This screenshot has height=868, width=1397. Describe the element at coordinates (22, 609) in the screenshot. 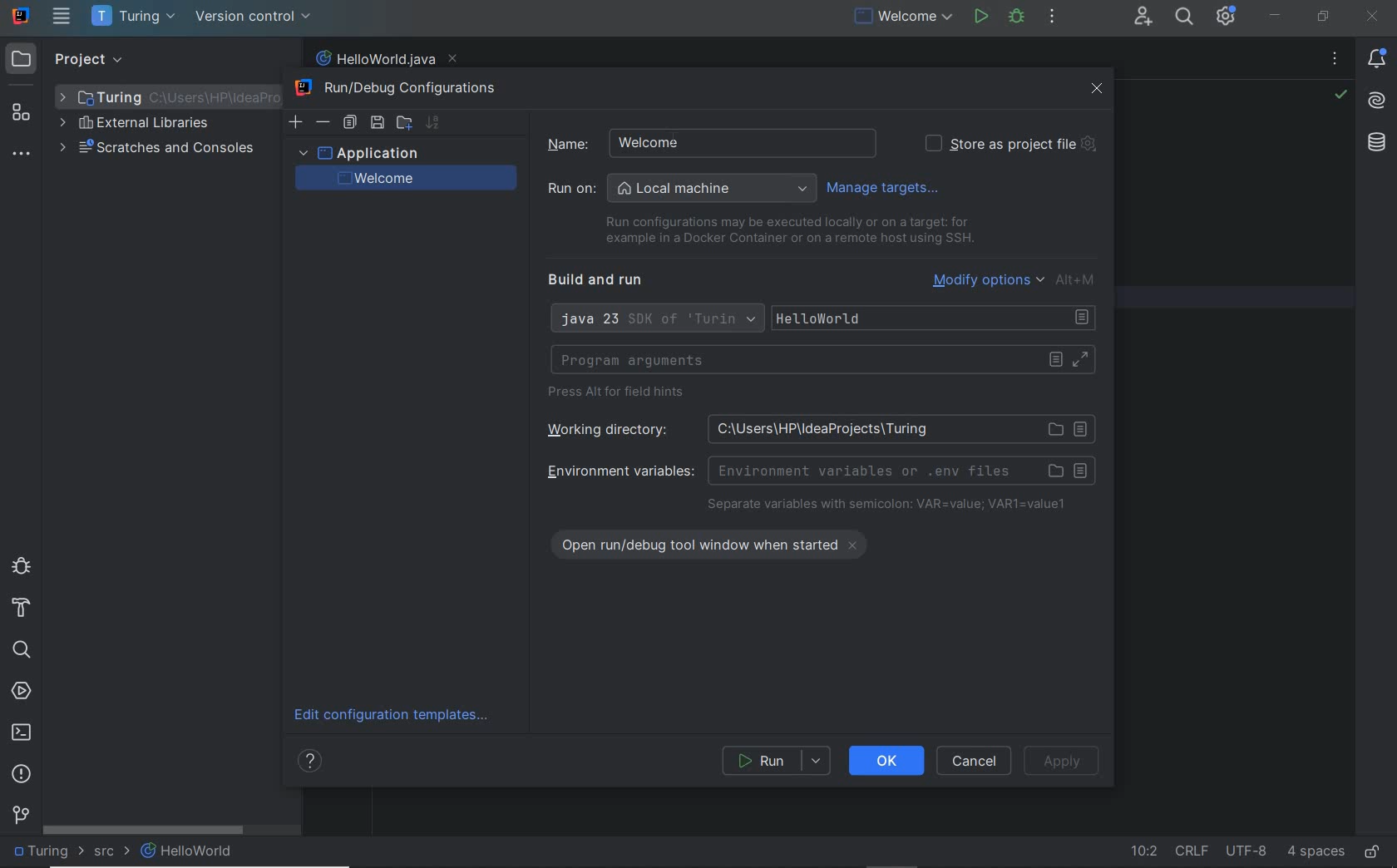

I see `build` at that location.